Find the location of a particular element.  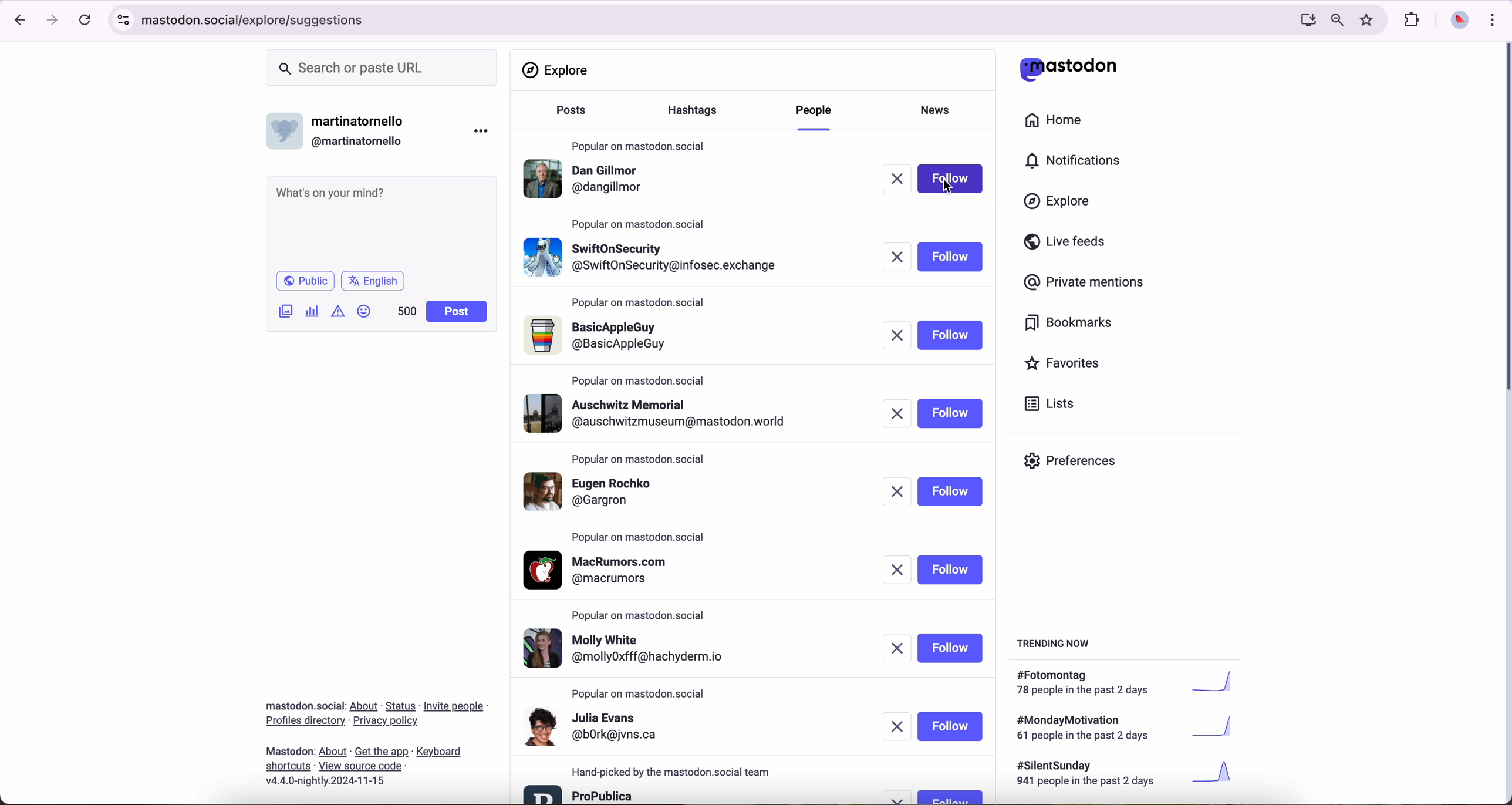

more options is located at coordinates (484, 130).